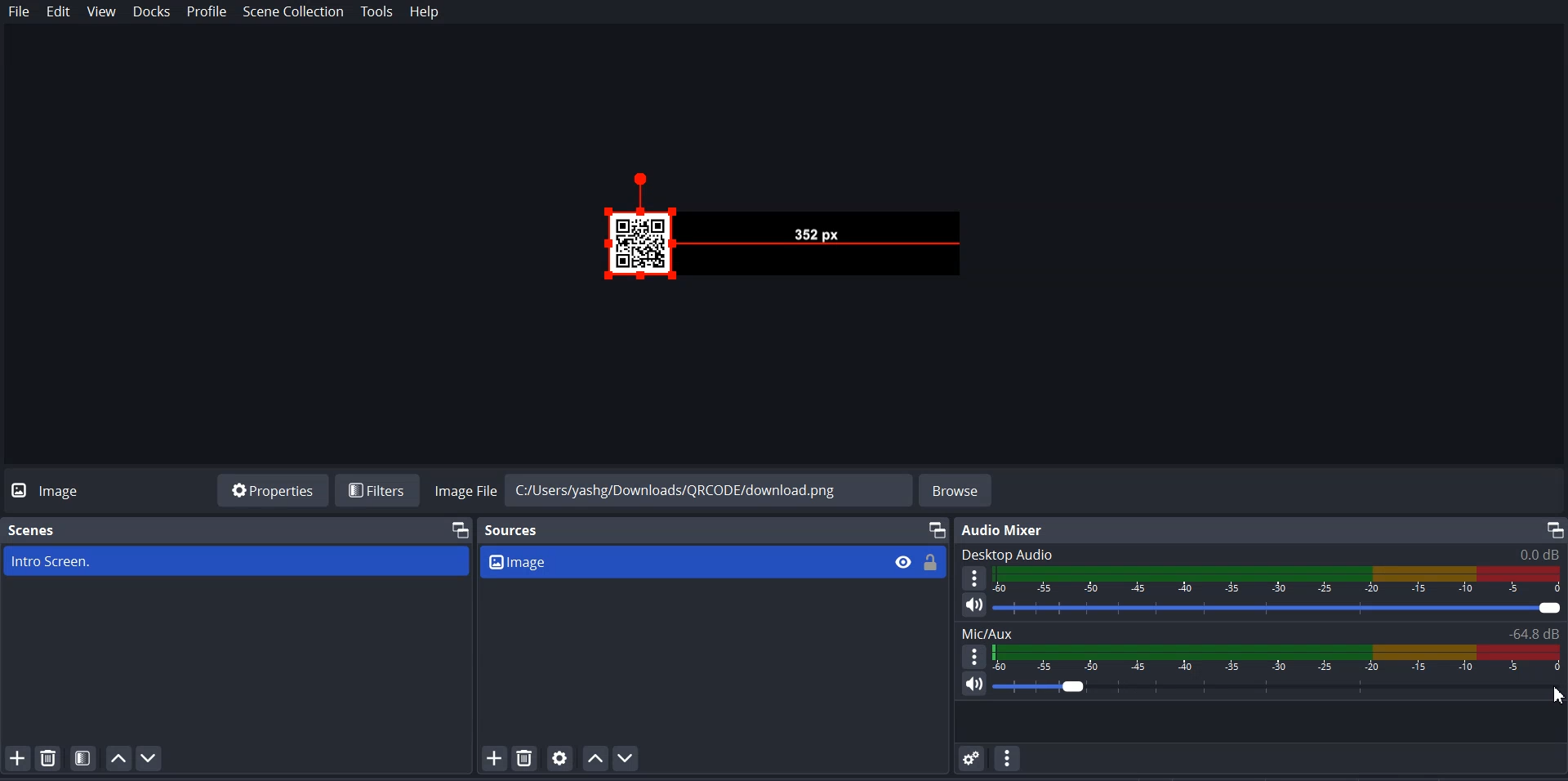 This screenshot has height=781, width=1568. I want to click on Scene Collection, so click(292, 11).